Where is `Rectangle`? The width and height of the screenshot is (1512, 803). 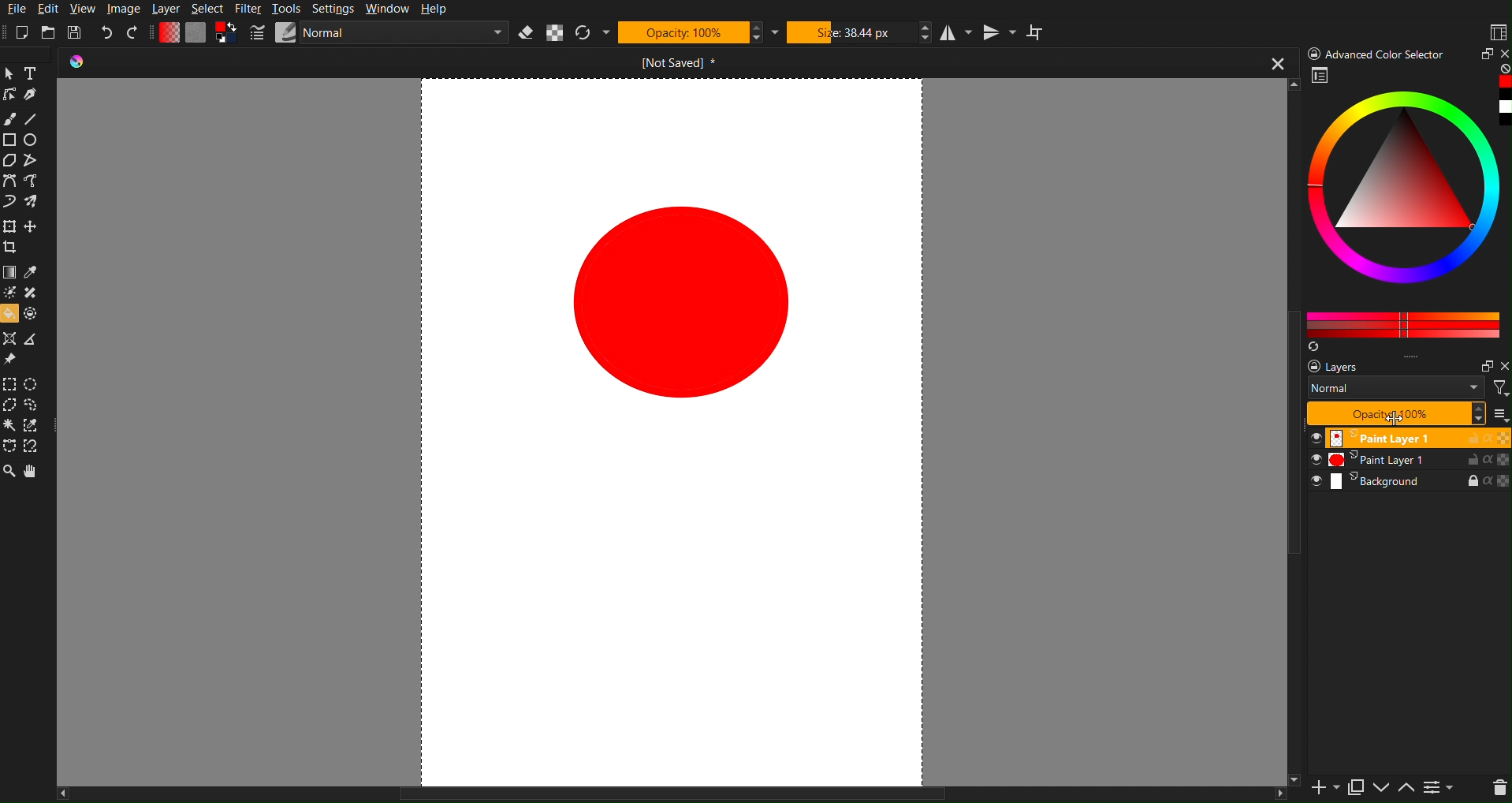 Rectangle is located at coordinates (9, 140).